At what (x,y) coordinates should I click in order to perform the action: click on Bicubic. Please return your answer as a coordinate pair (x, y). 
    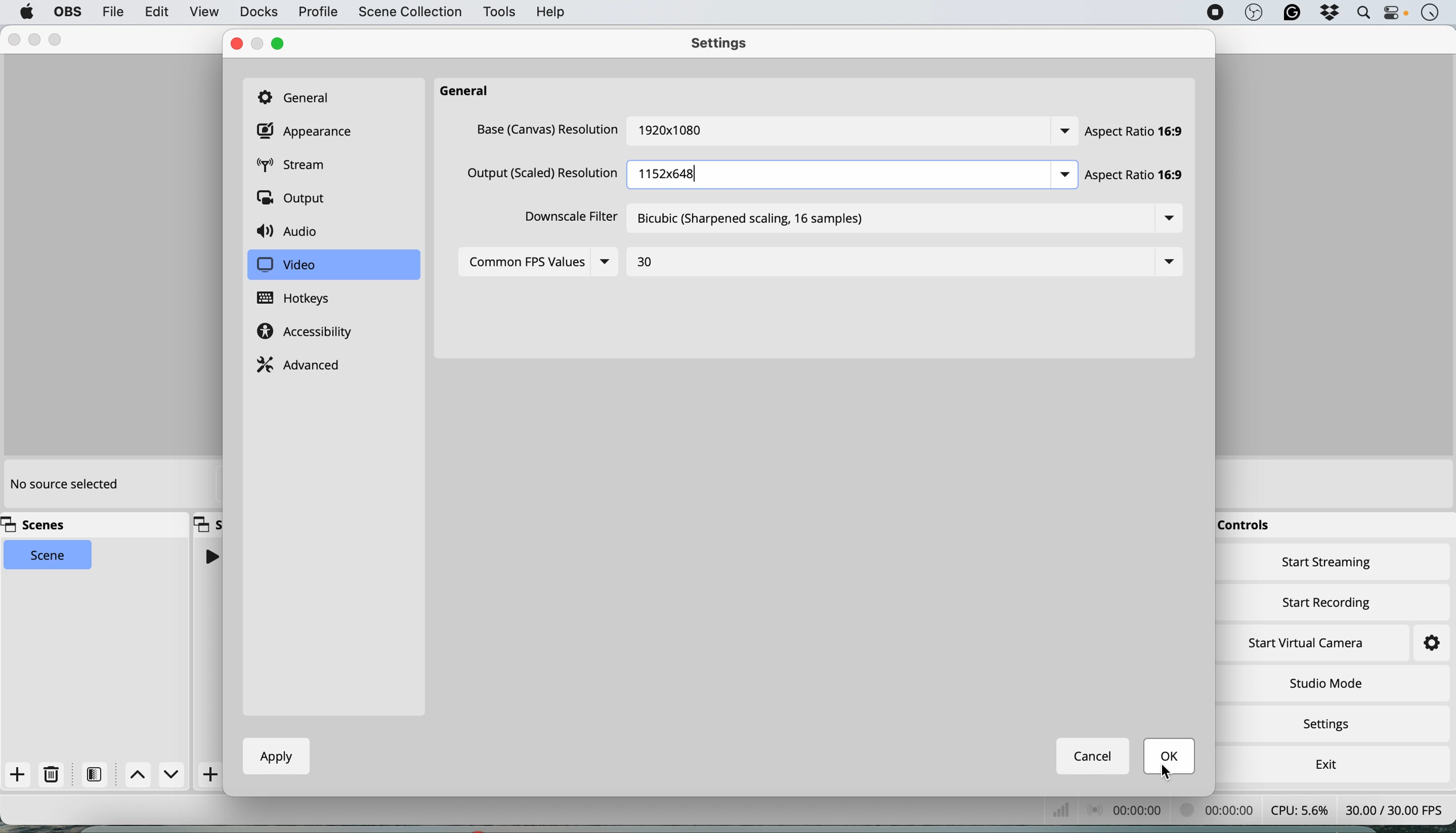
    Looking at the image, I should click on (808, 219).